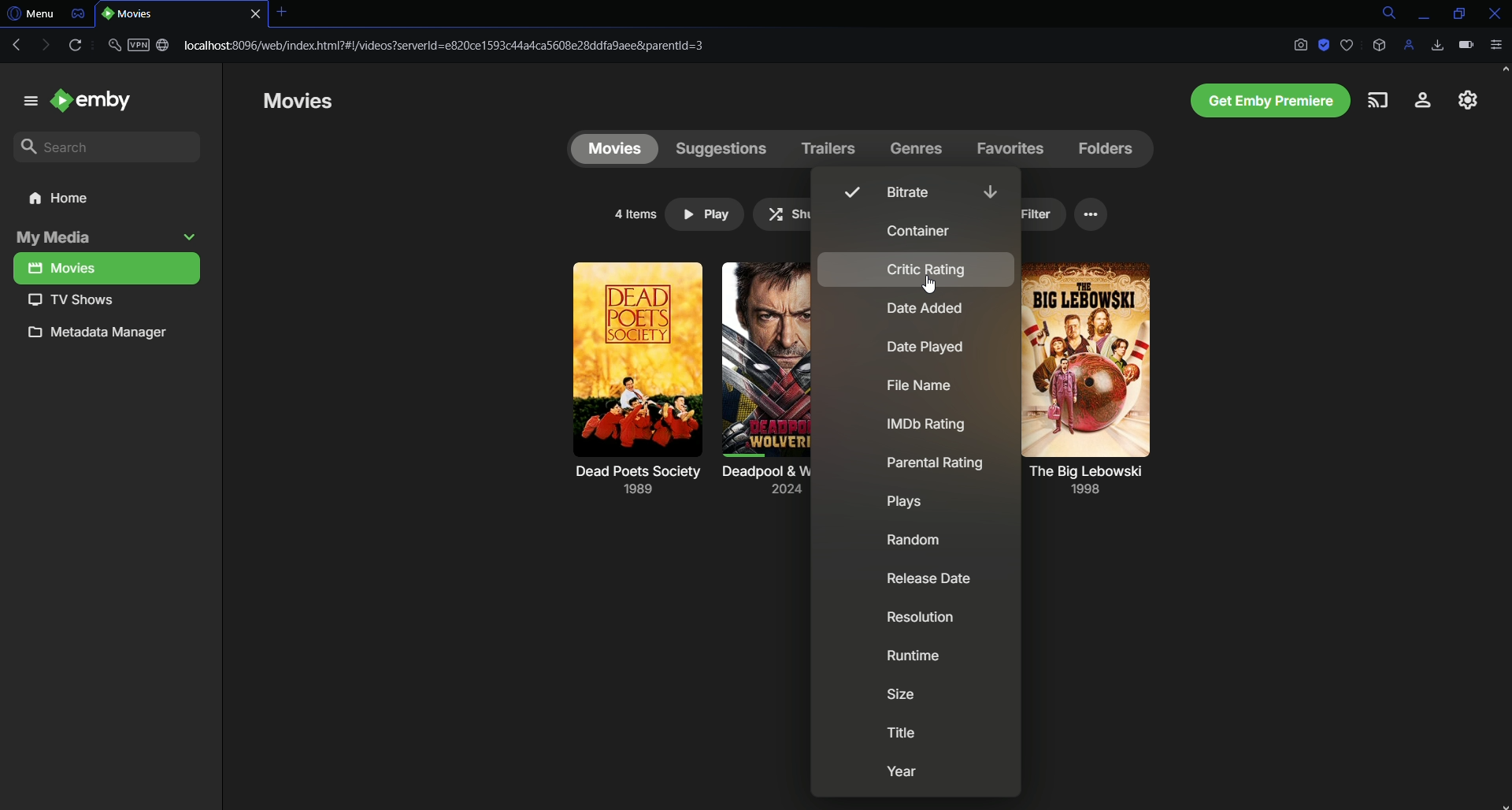  Describe the element at coordinates (106, 299) in the screenshot. I see `TV Shows` at that location.